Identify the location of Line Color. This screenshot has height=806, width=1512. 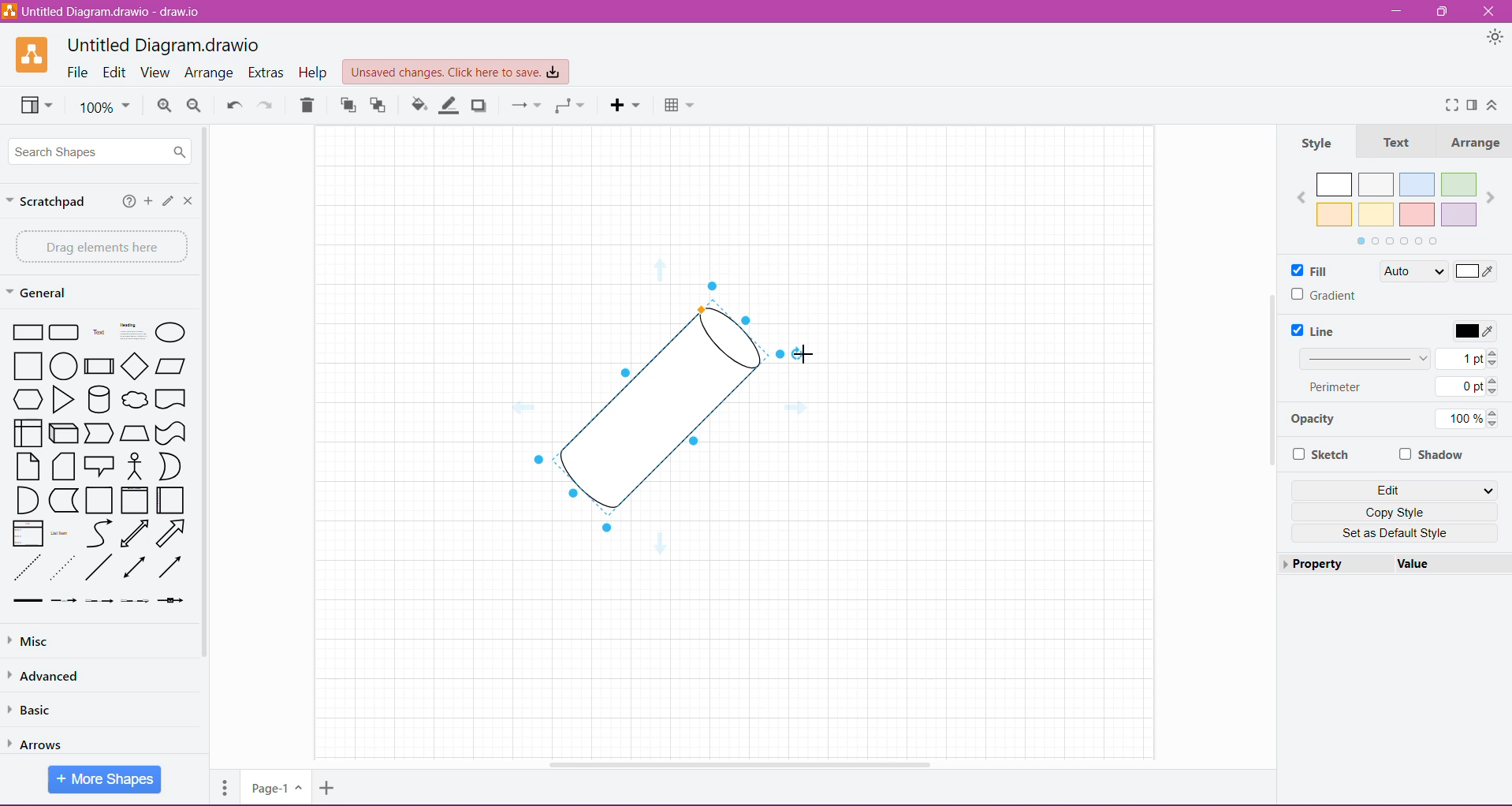
(449, 106).